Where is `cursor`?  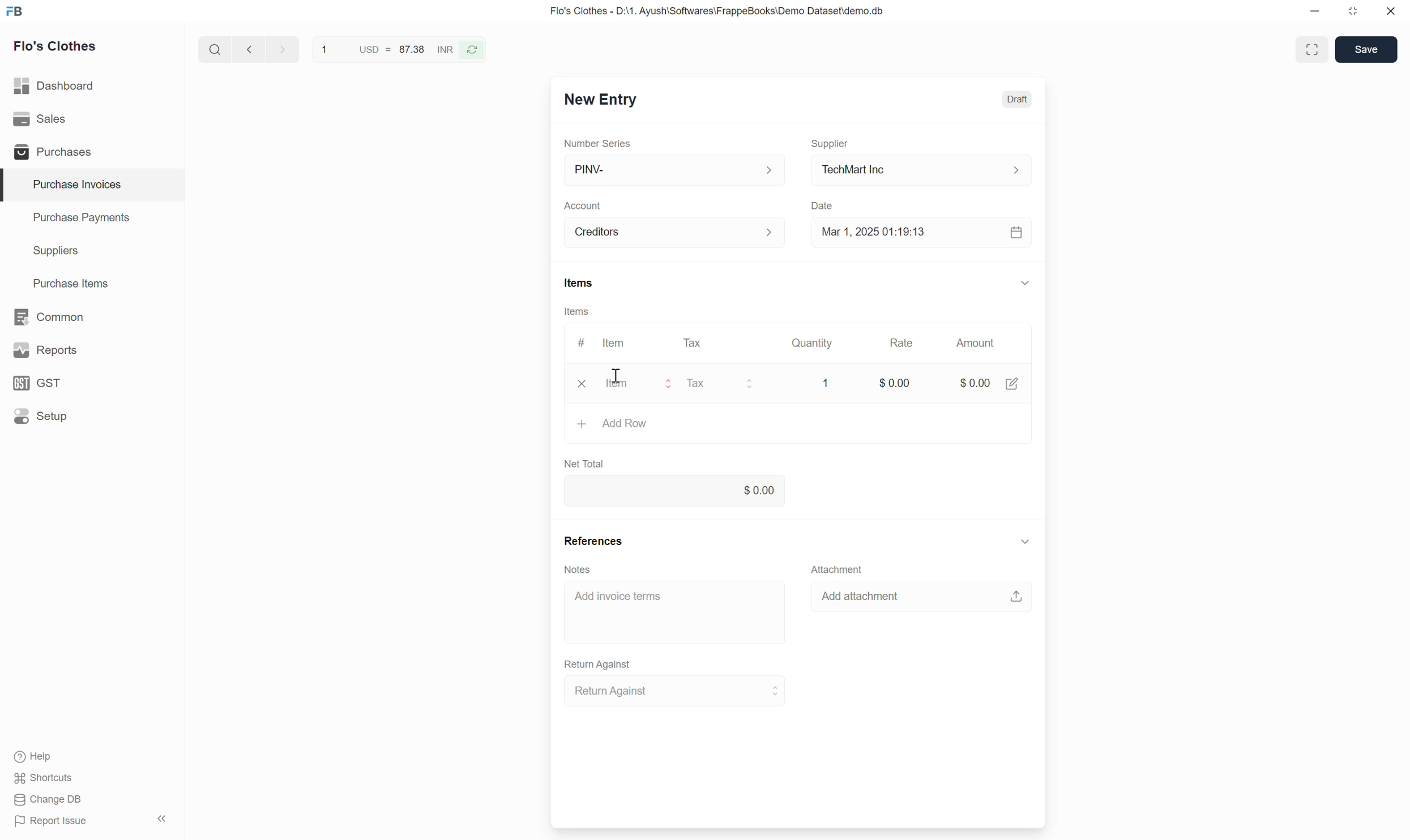 cursor is located at coordinates (619, 373).